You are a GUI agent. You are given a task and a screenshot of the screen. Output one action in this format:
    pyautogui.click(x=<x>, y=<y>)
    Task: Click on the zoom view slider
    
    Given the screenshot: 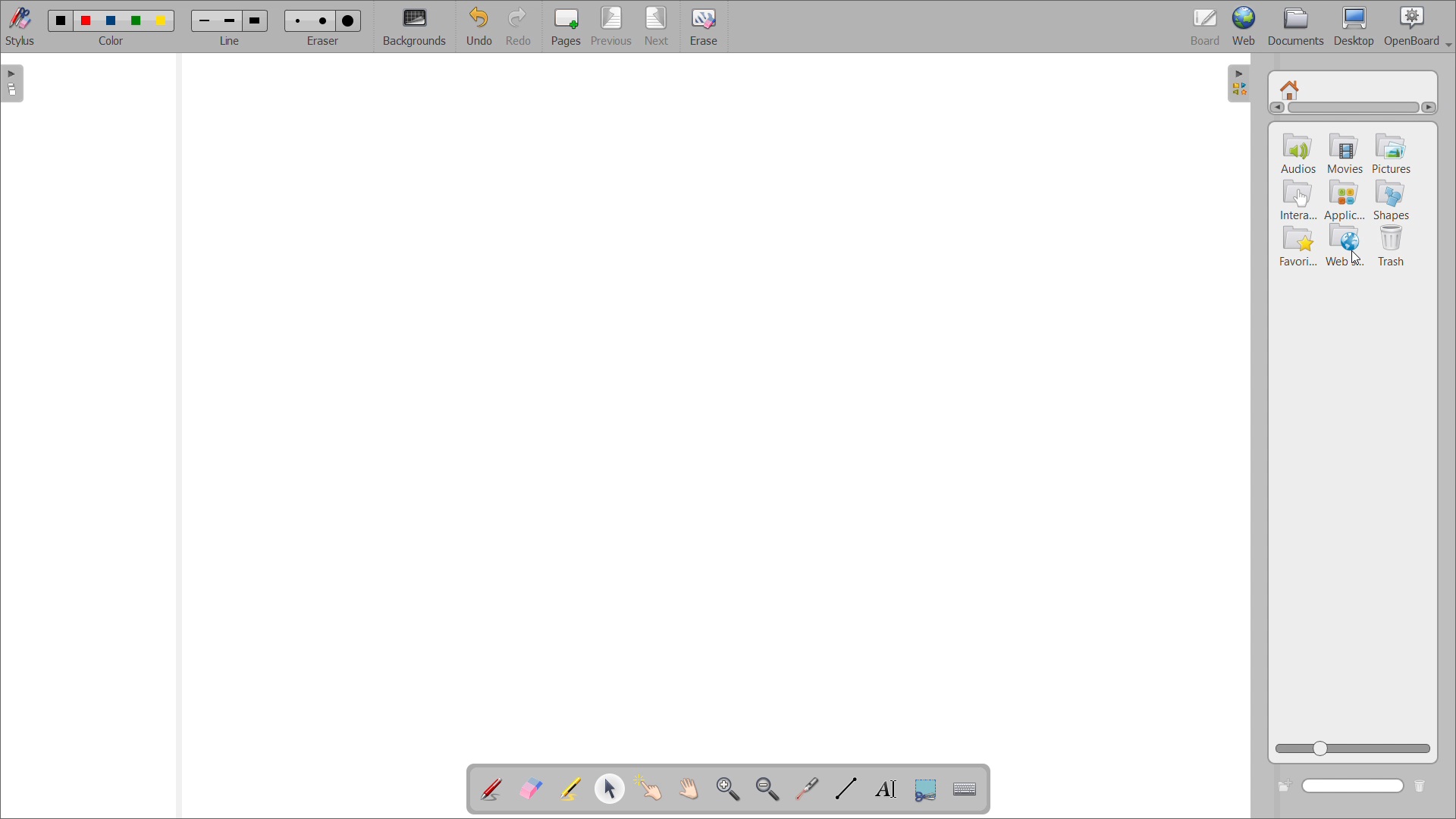 What is the action you would take?
    pyautogui.click(x=1352, y=750)
    